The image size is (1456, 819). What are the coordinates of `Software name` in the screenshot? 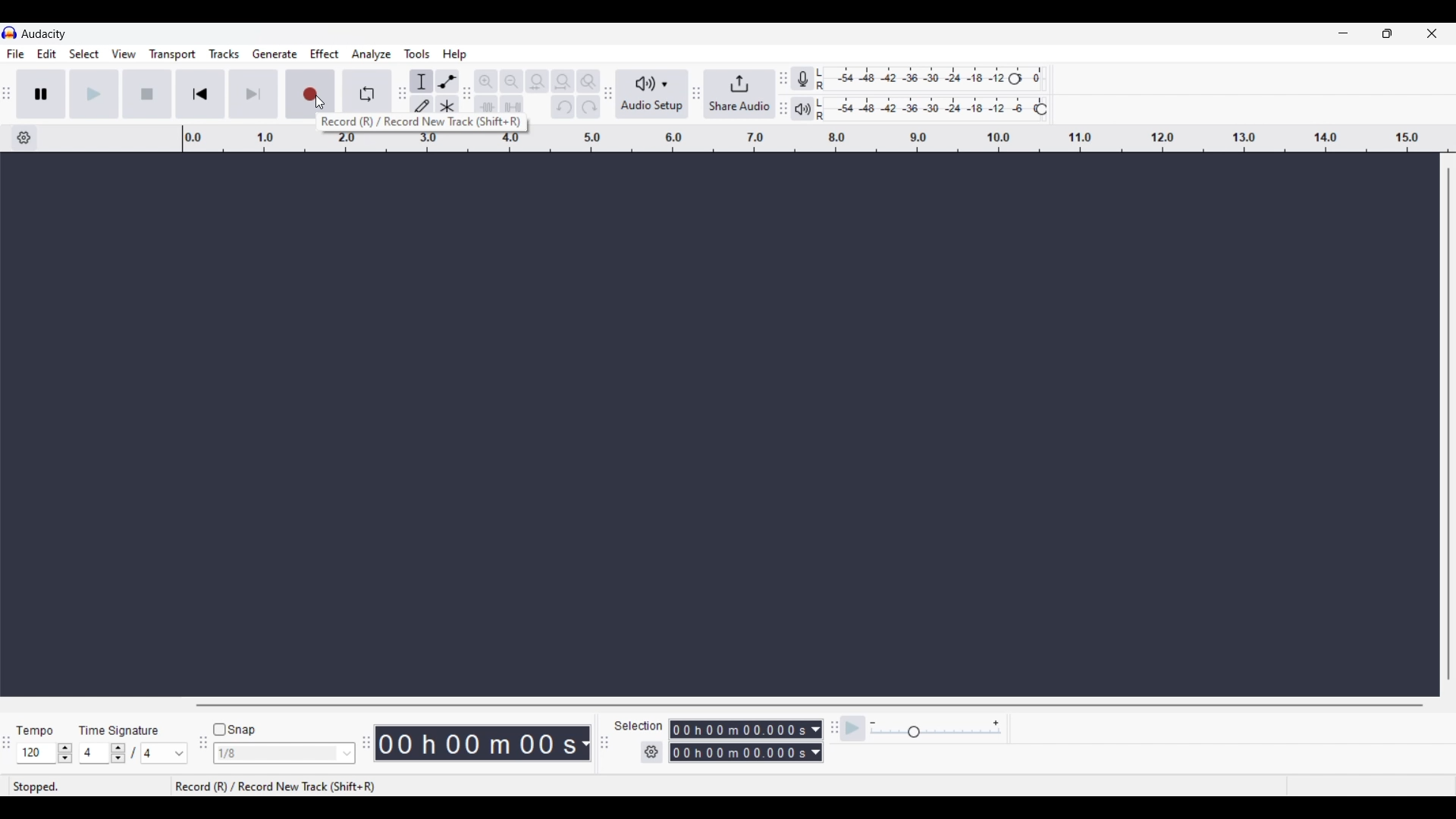 It's located at (45, 34).